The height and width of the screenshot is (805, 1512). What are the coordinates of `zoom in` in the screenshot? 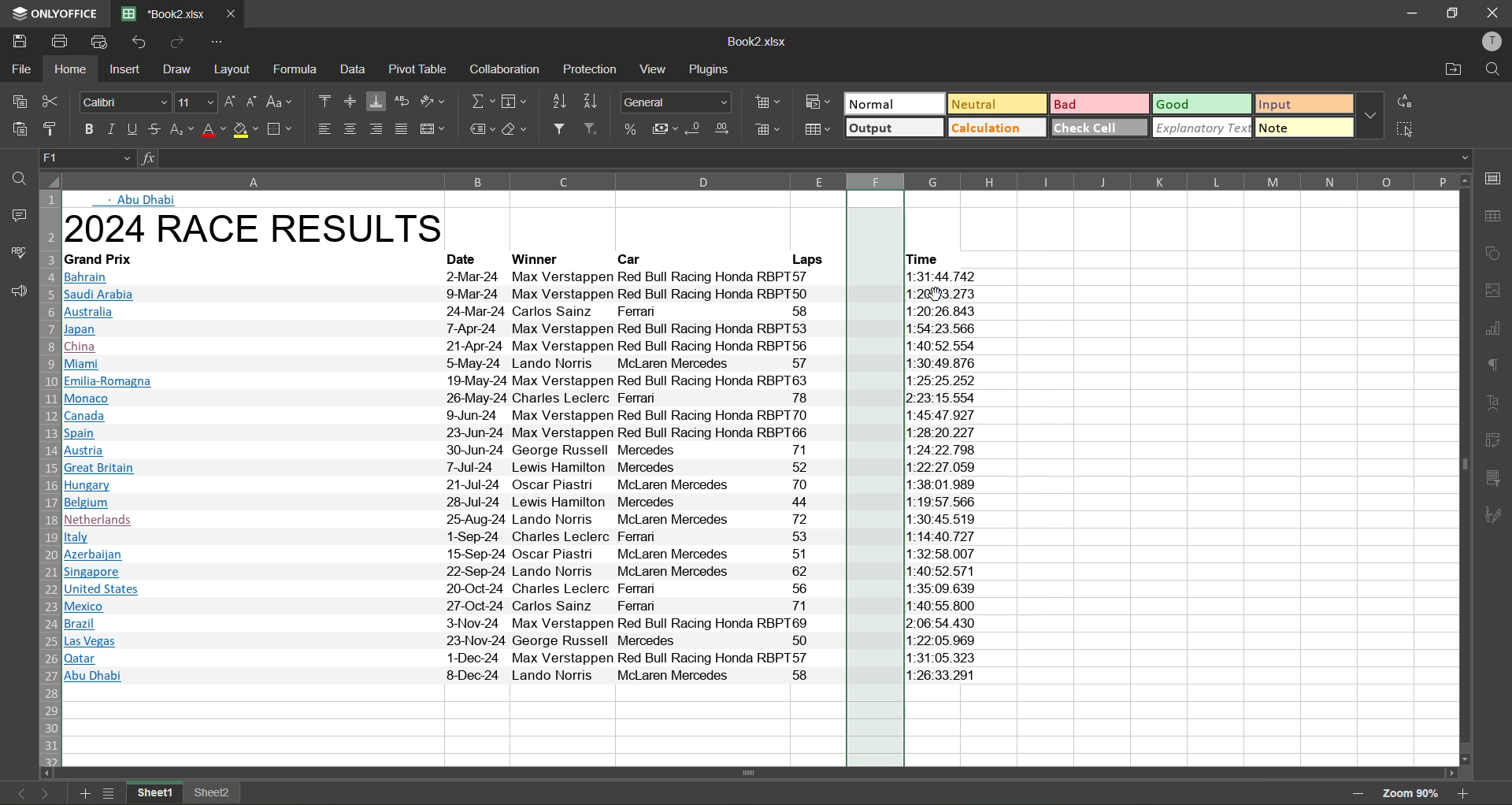 It's located at (1466, 793).